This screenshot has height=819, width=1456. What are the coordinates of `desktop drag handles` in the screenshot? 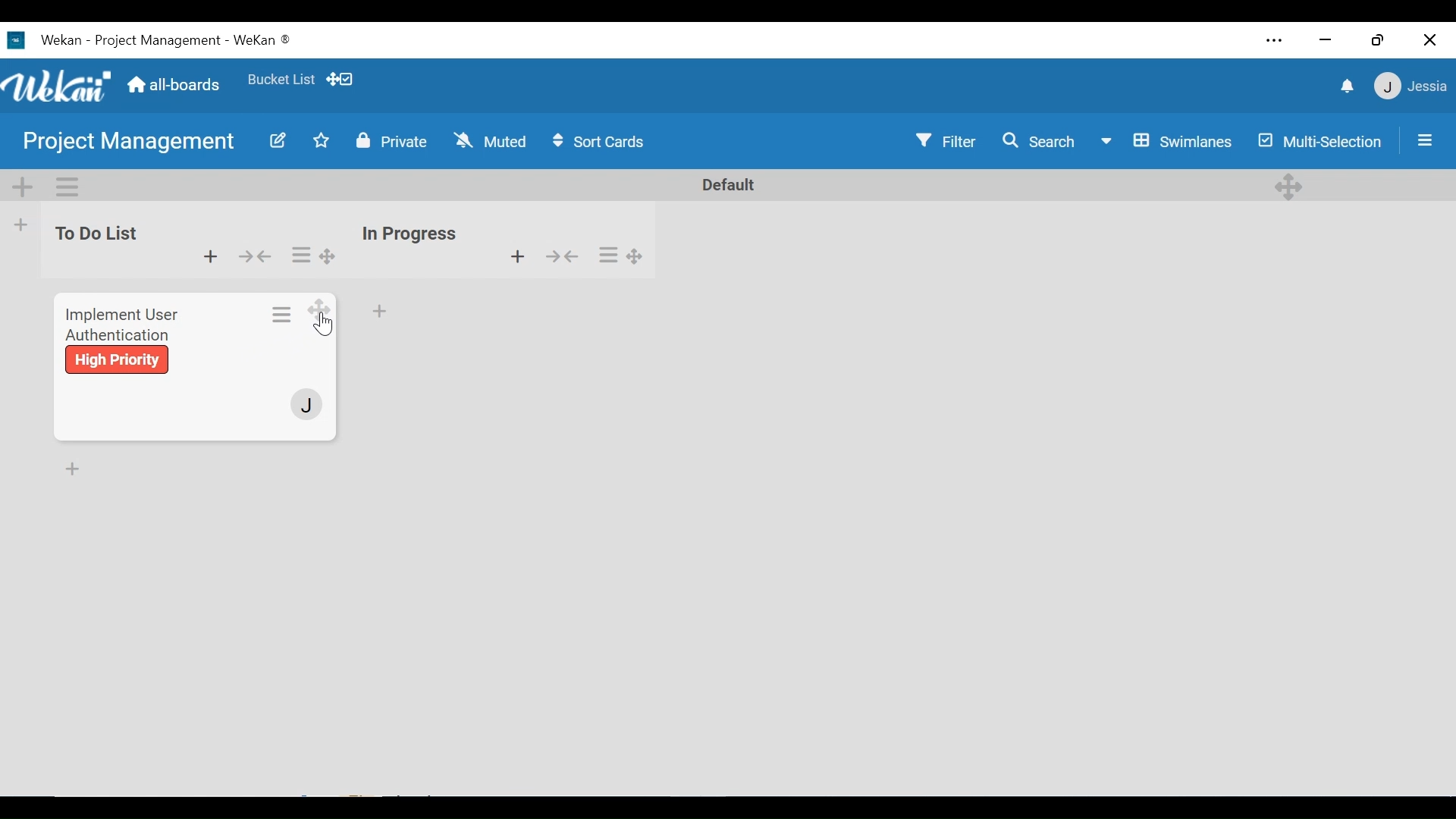 It's located at (320, 312).